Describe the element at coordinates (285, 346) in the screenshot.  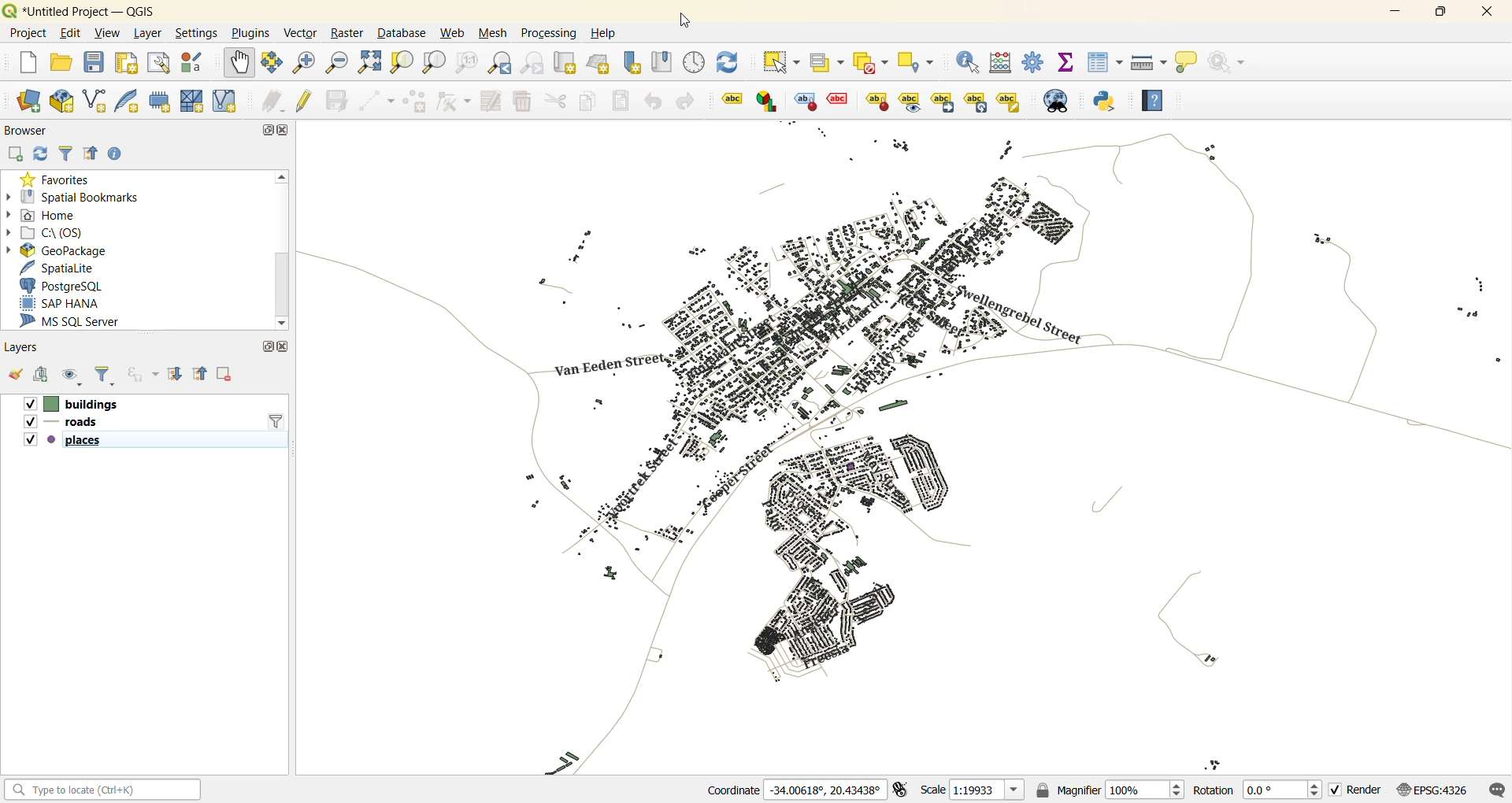
I see `close` at that location.